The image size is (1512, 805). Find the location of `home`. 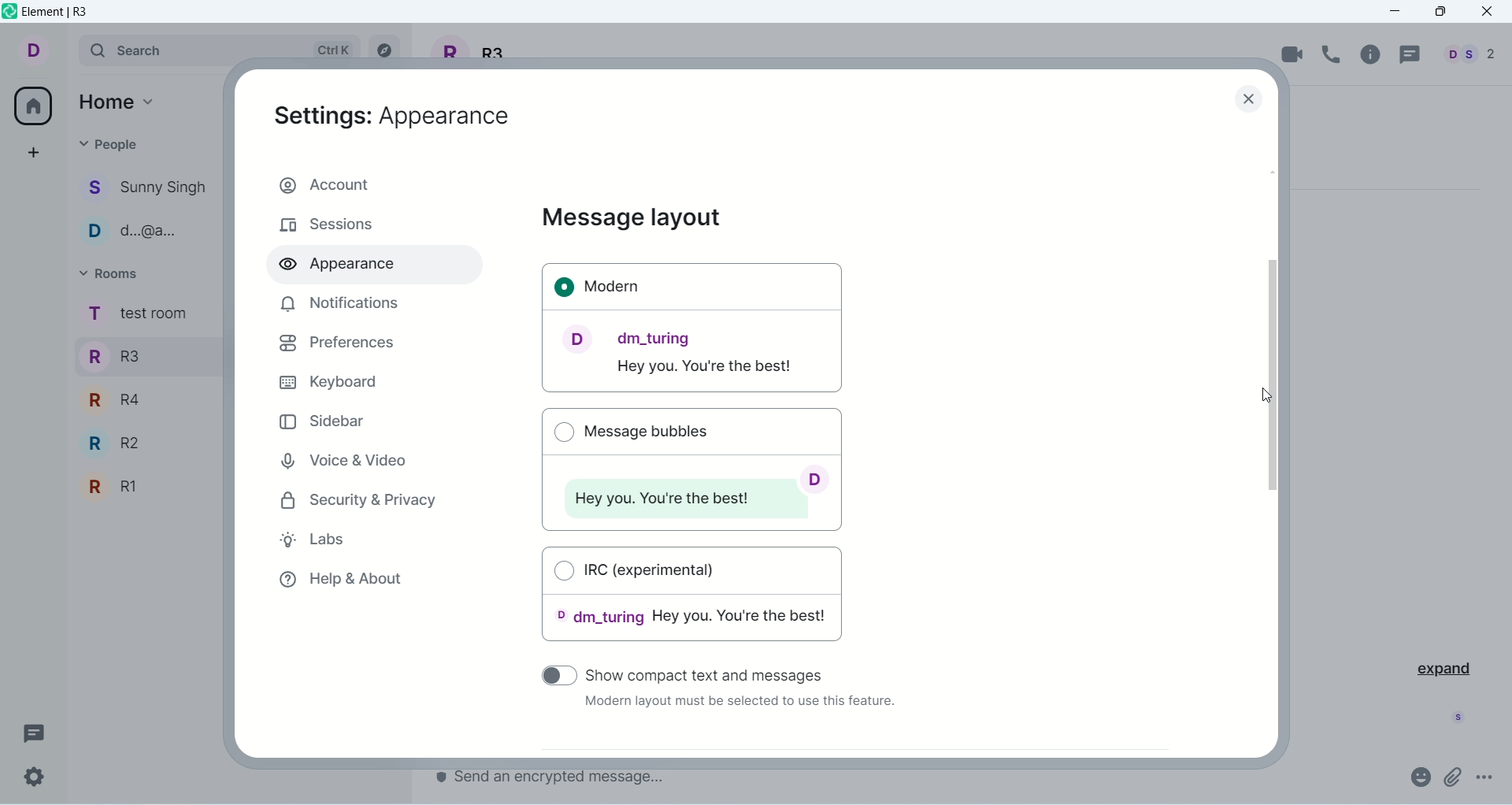

home is located at coordinates (121, 100).